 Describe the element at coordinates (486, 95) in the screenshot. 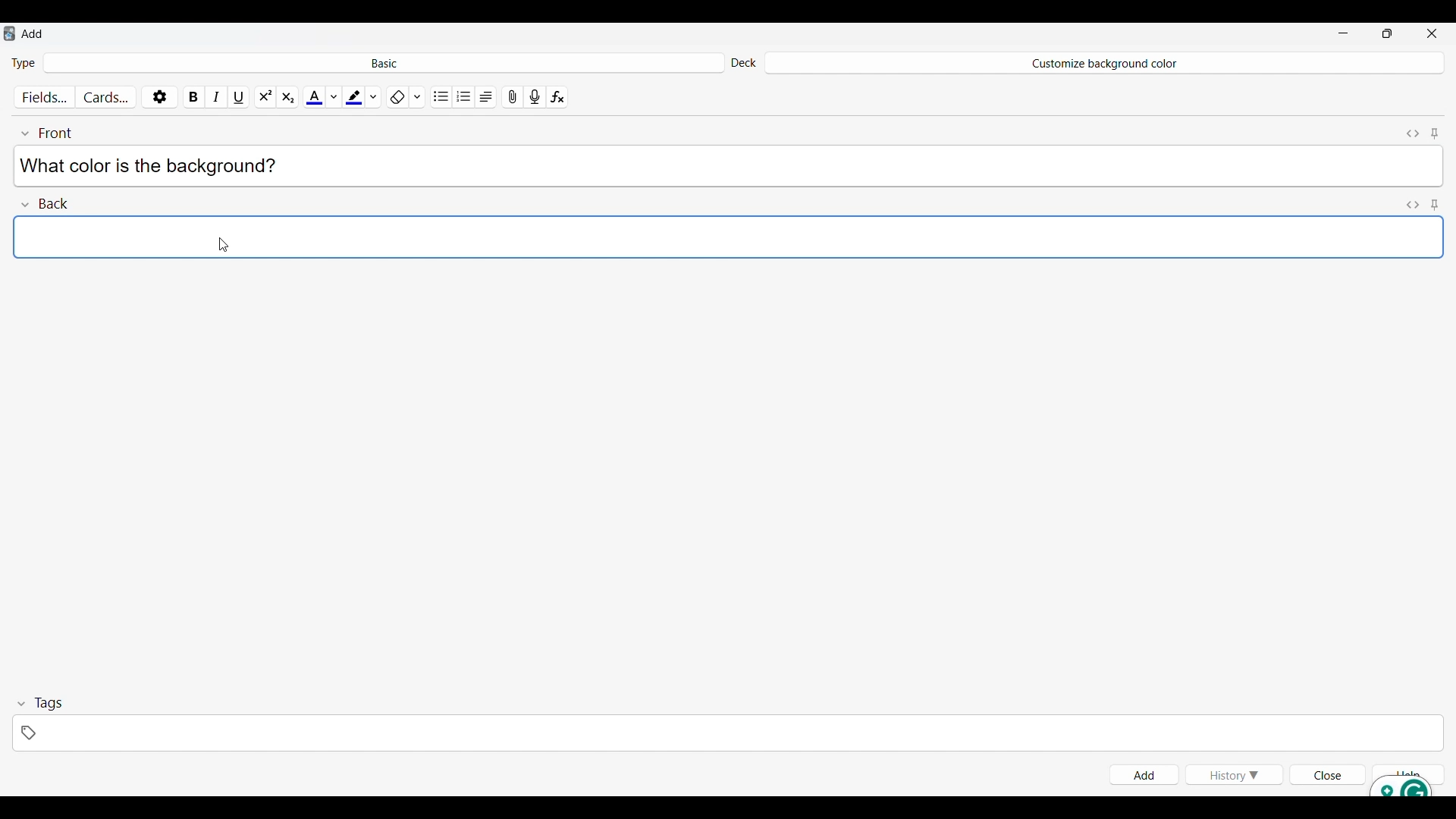

I see `Alignment` at that location.